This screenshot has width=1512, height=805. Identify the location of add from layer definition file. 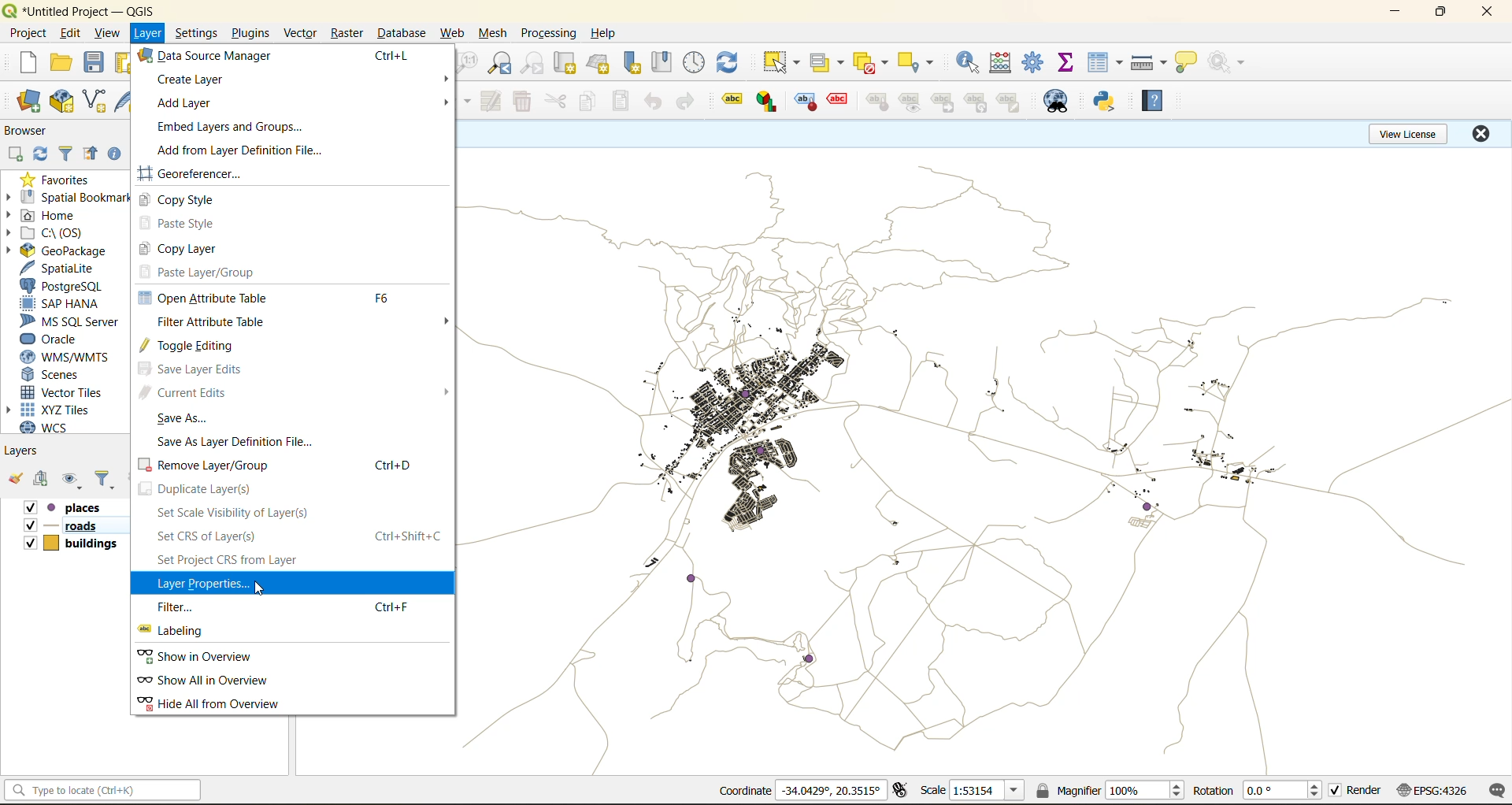
(243, 150).